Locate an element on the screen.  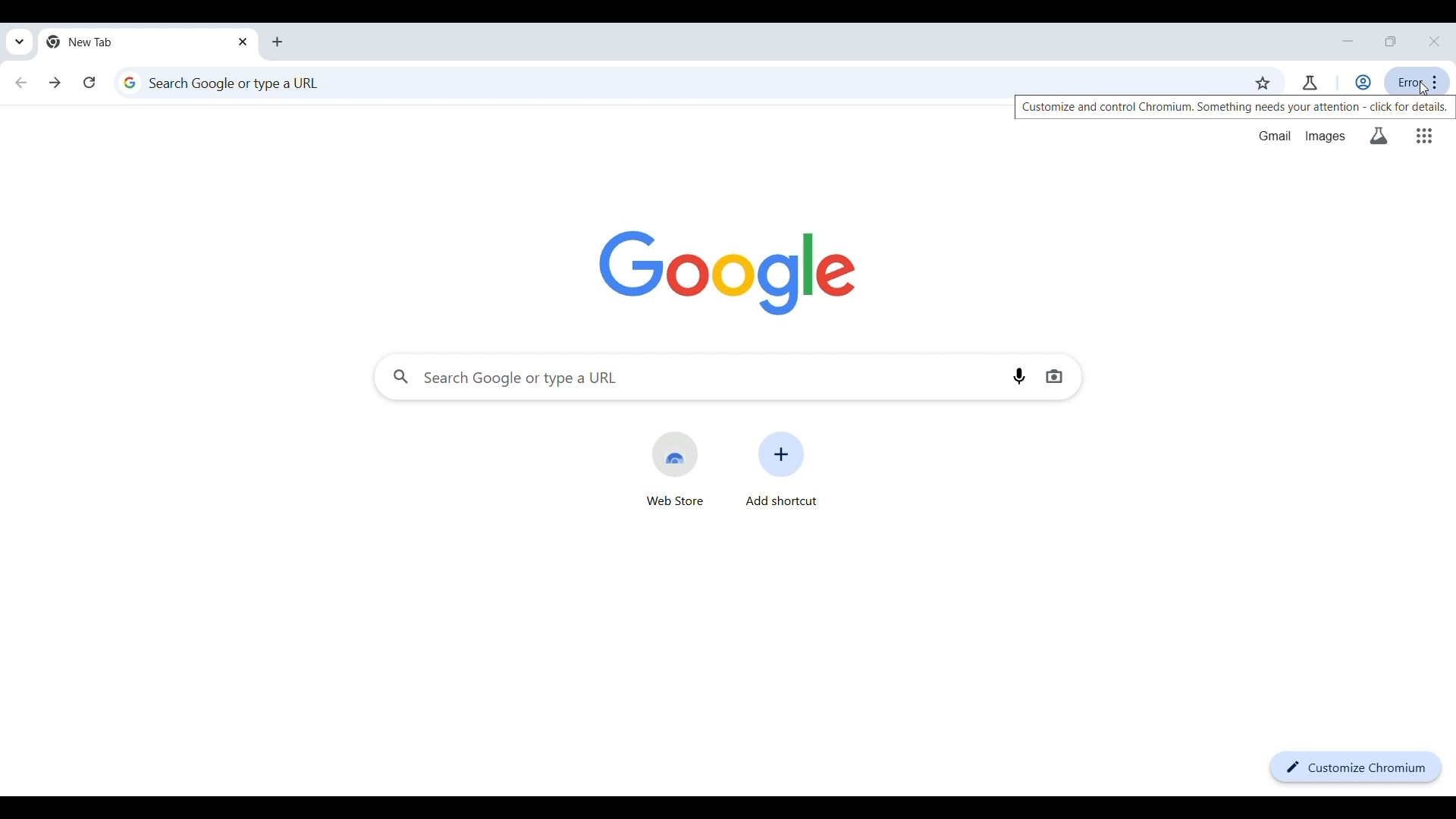
Search Google or type a url  is located at coordinates (691, 377).